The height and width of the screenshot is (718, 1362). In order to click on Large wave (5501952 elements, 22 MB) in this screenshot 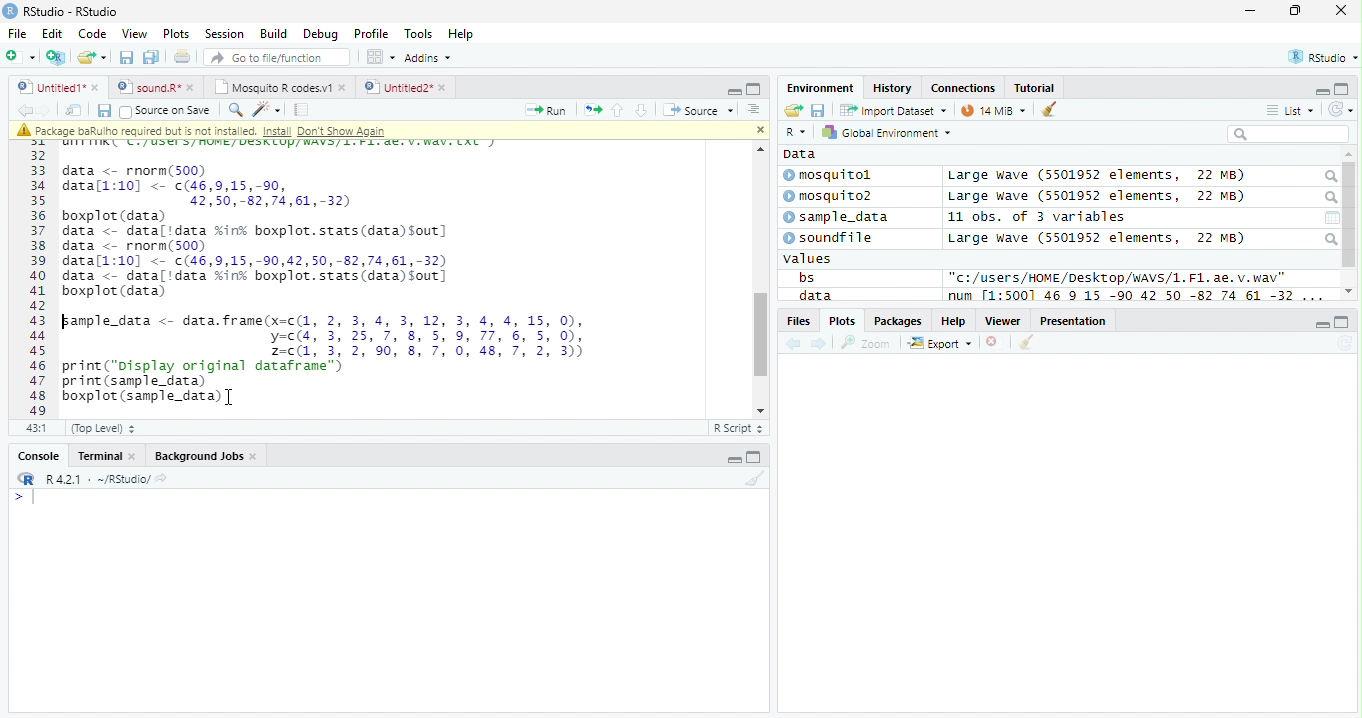, I will do `click(1100, 197)`.